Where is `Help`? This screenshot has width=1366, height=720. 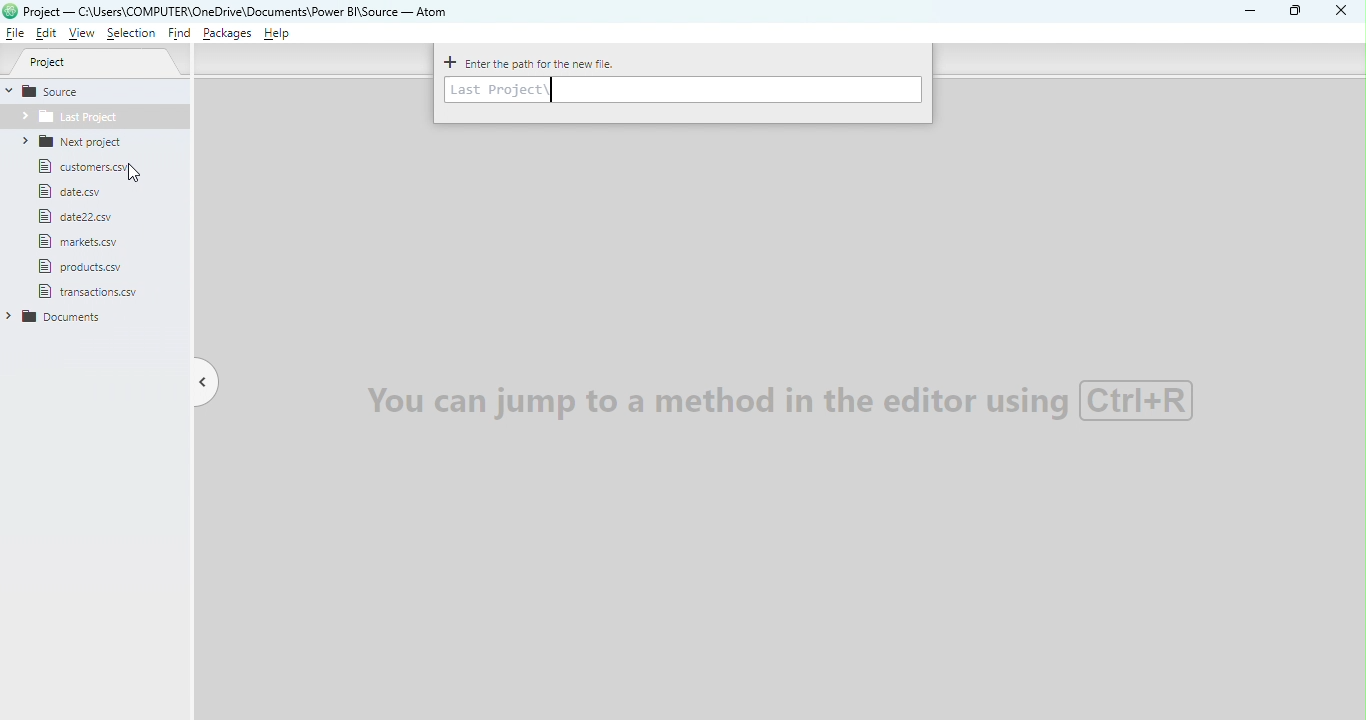
Help is located at coordinates (280, 36).